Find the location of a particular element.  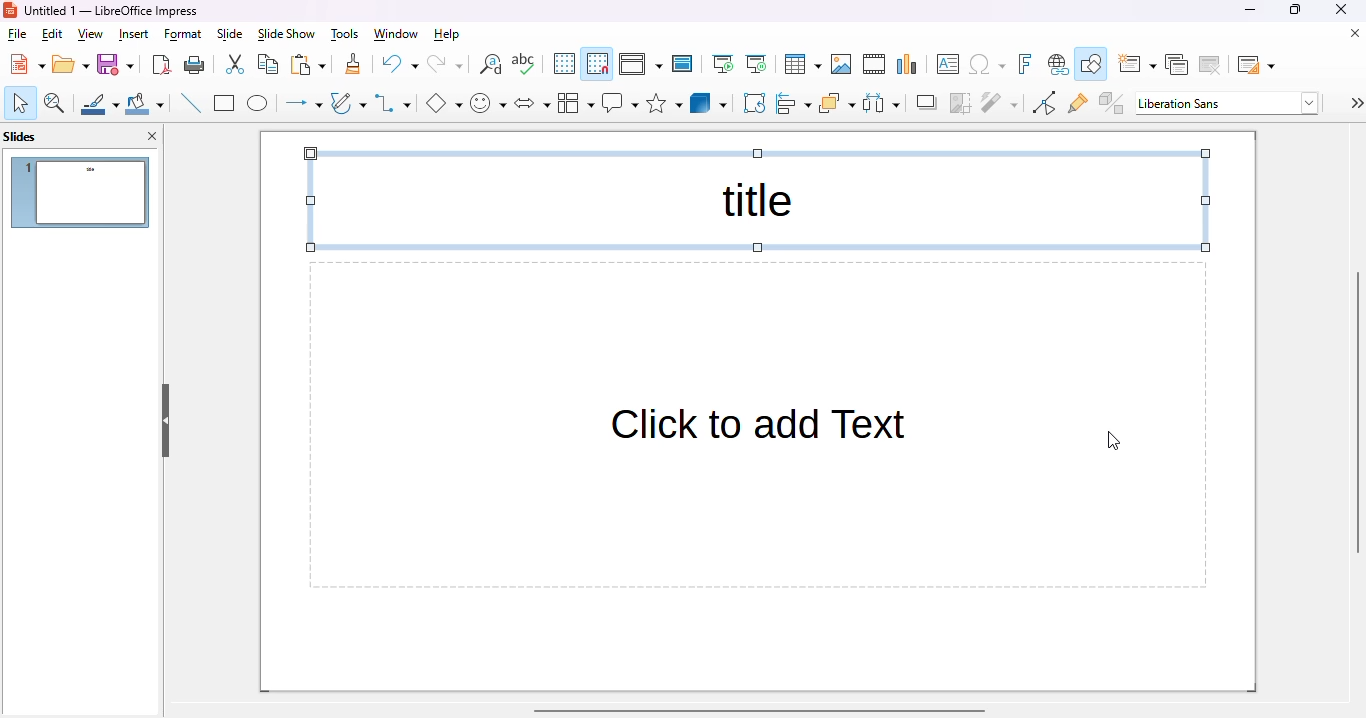

insert special characters is located at coordinates (987, 64).